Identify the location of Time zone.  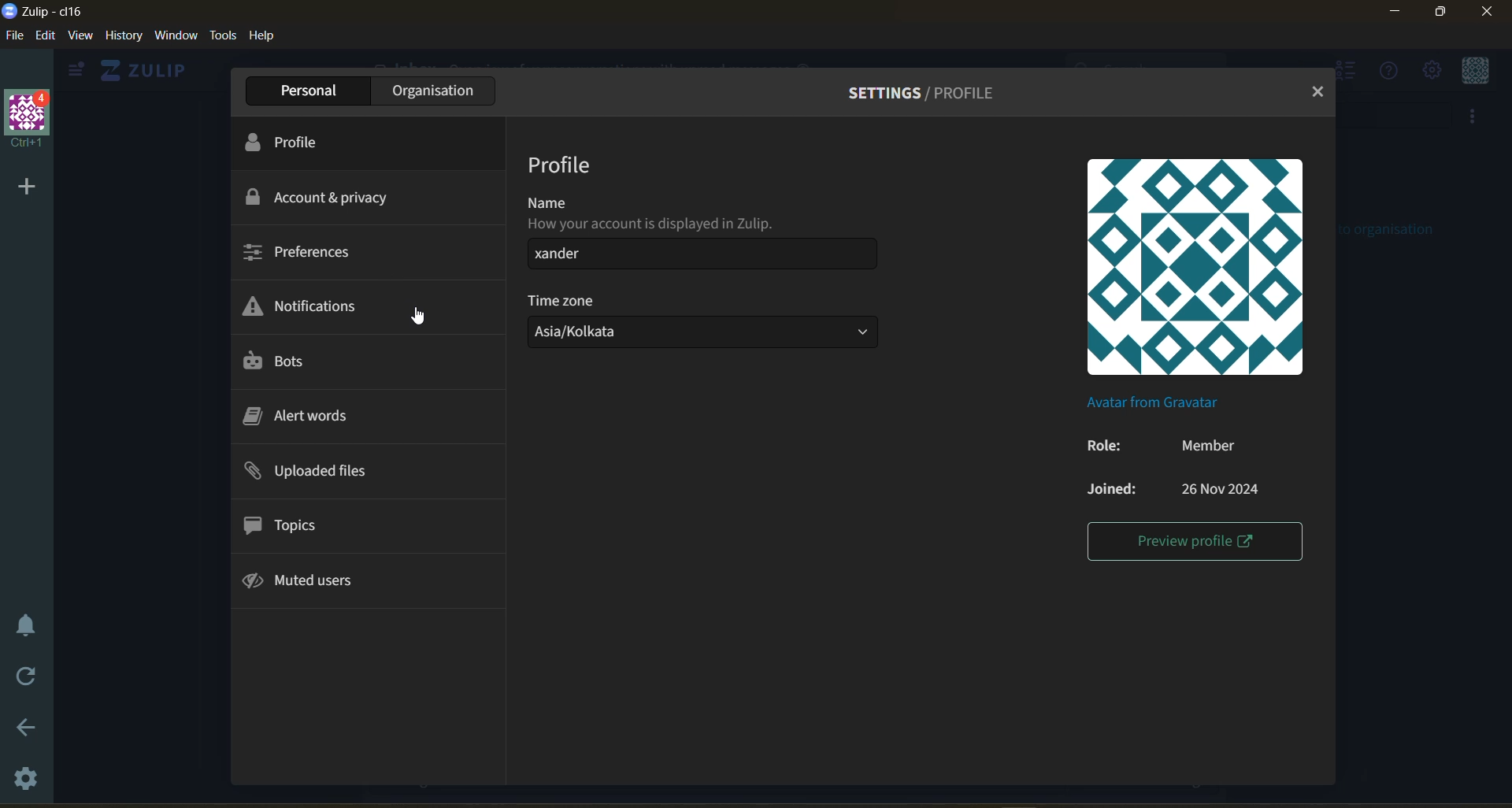
(565, 300).